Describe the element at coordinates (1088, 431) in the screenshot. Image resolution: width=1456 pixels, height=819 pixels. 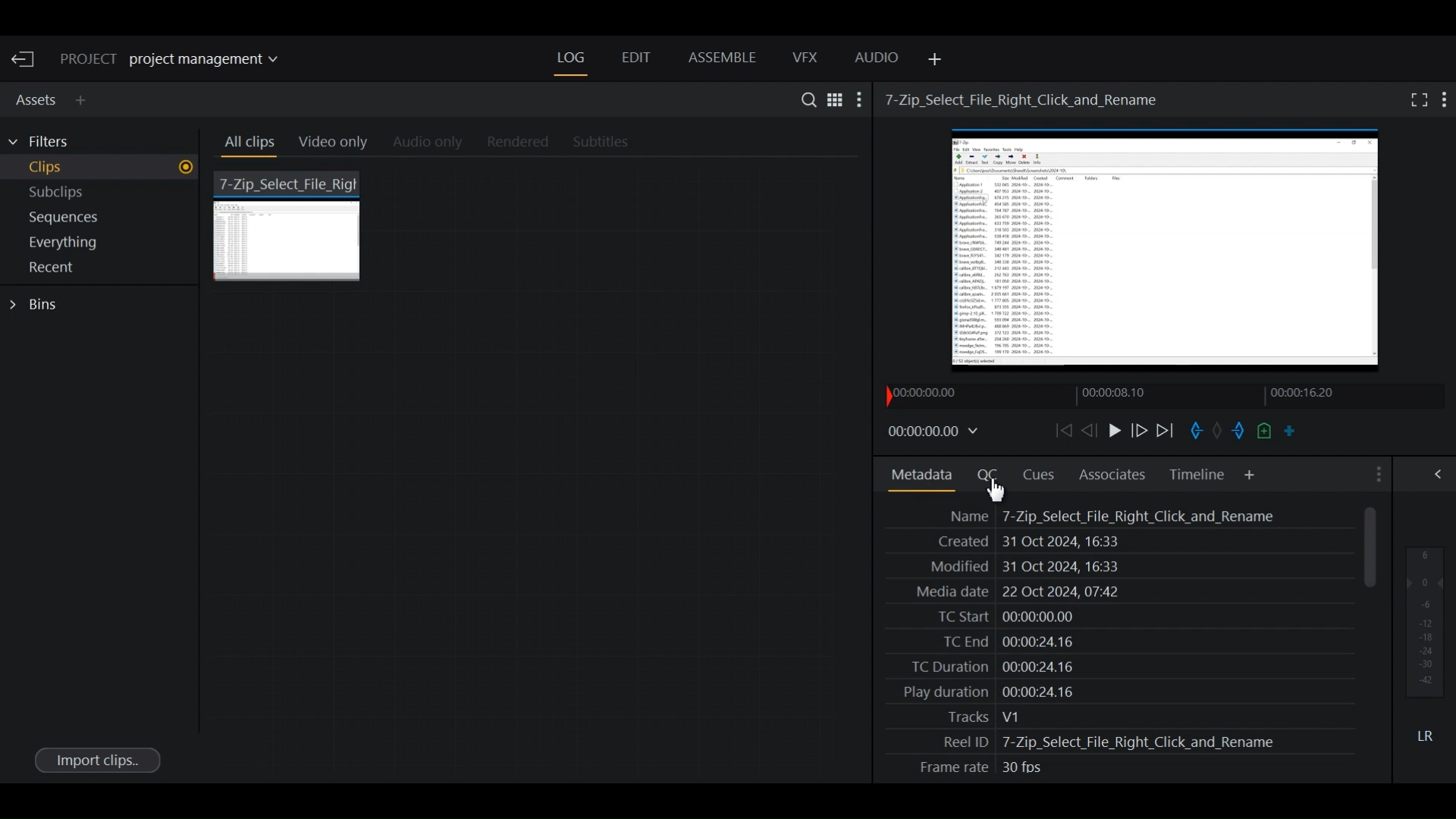
I see `Nudge one frame backward` at that location.